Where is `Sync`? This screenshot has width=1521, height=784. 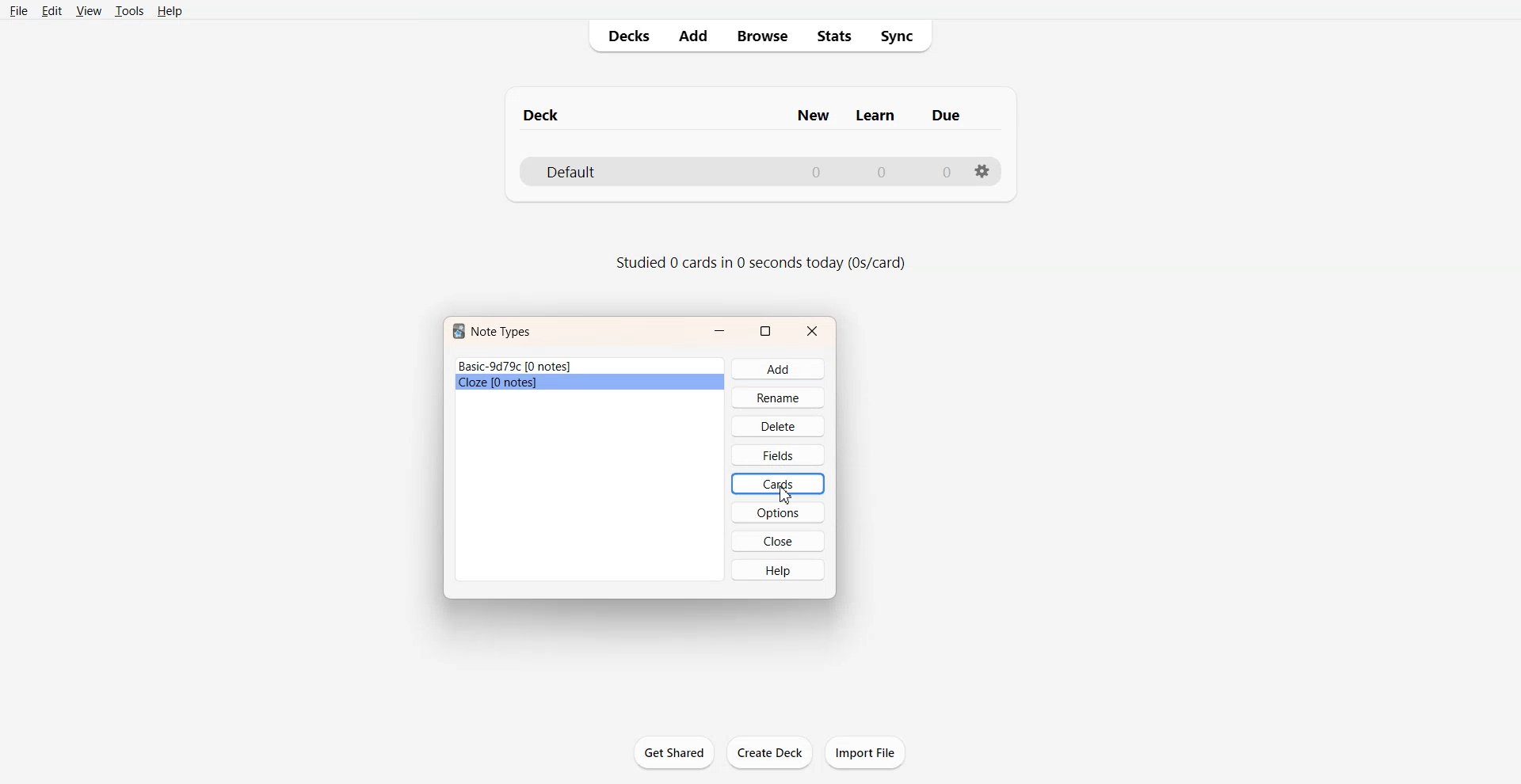 Sync is located at coordinates (900, 36).